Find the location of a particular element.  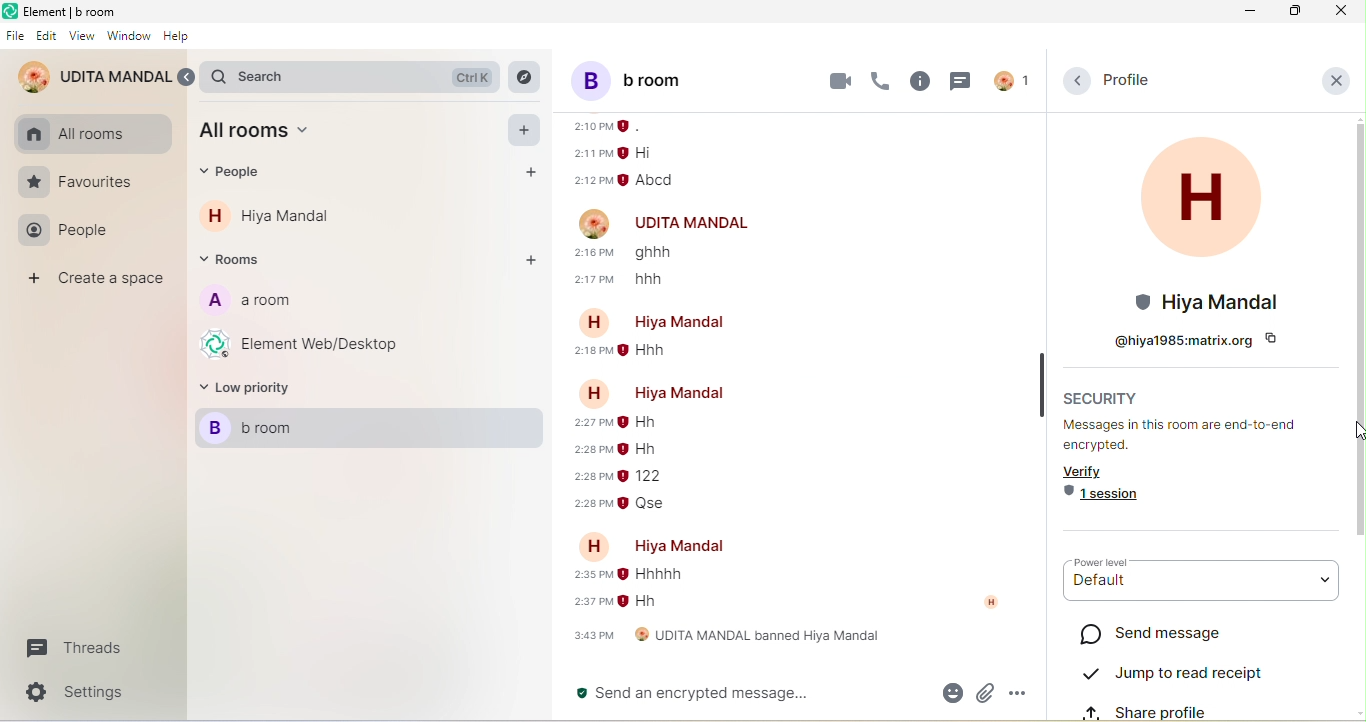

hhh older message from udita is located at coordinates (660, 281).